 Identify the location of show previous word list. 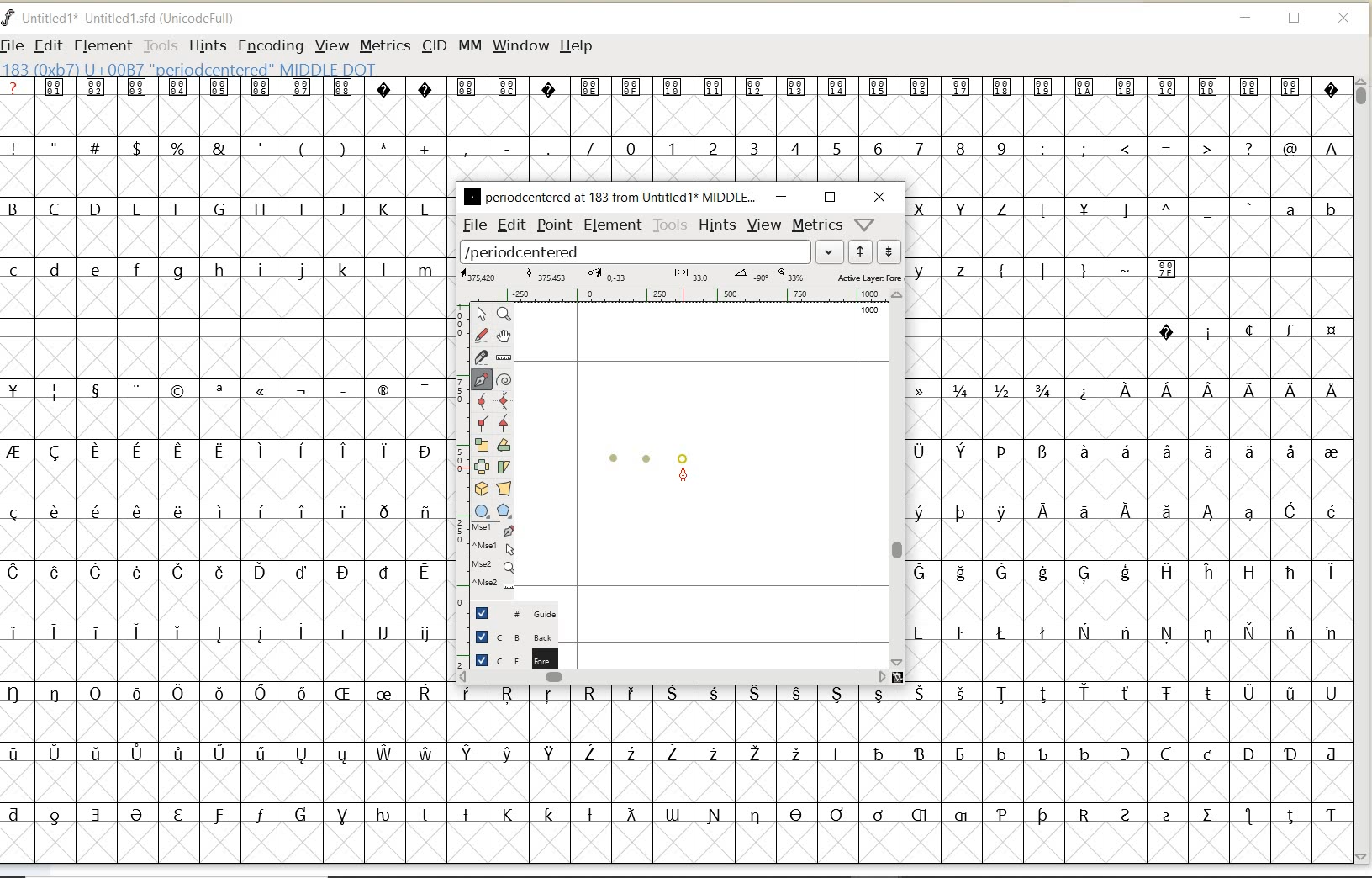
(862, 252).